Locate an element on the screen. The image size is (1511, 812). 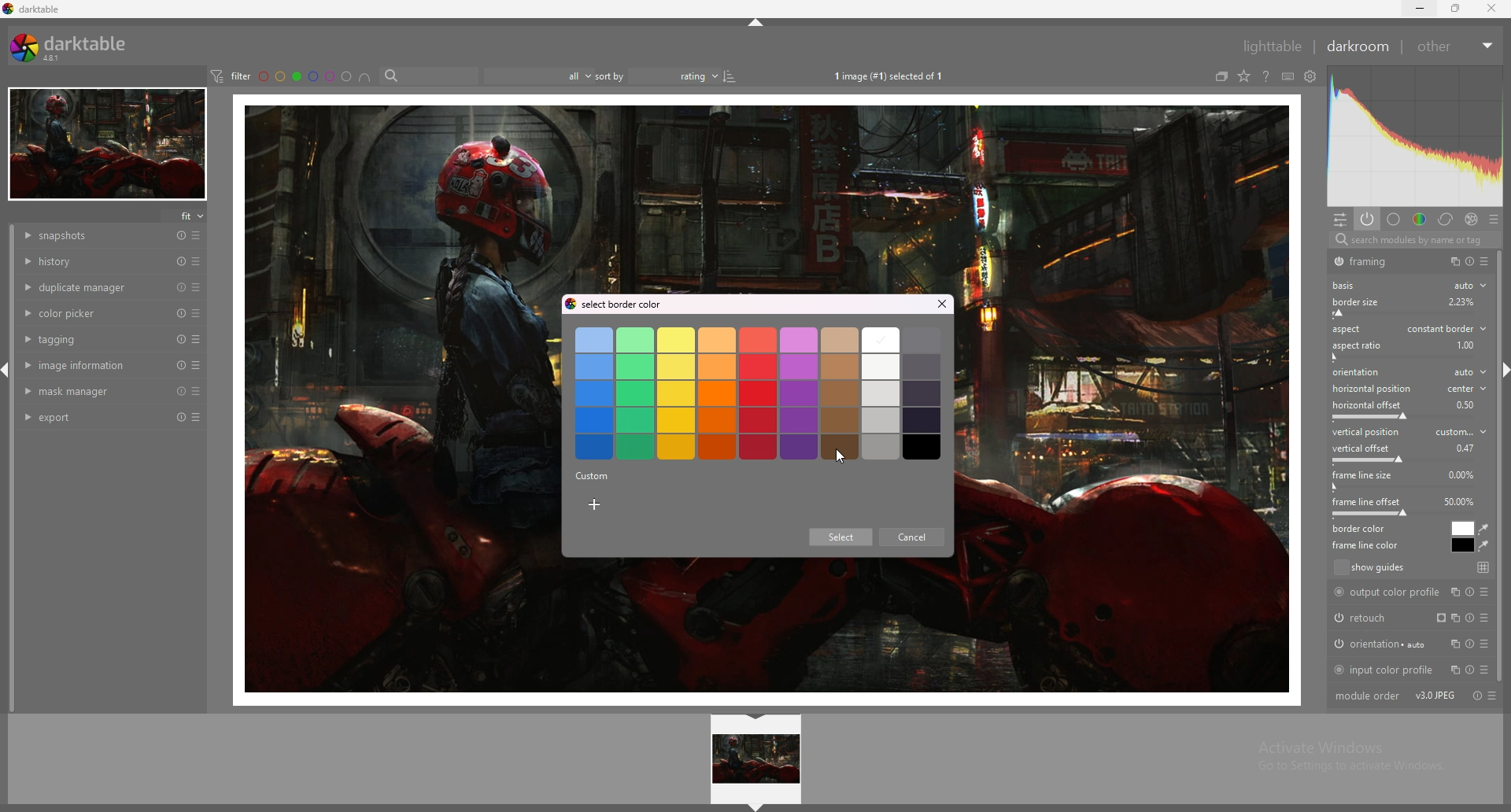
correct is located at coordinates (1444, 220).